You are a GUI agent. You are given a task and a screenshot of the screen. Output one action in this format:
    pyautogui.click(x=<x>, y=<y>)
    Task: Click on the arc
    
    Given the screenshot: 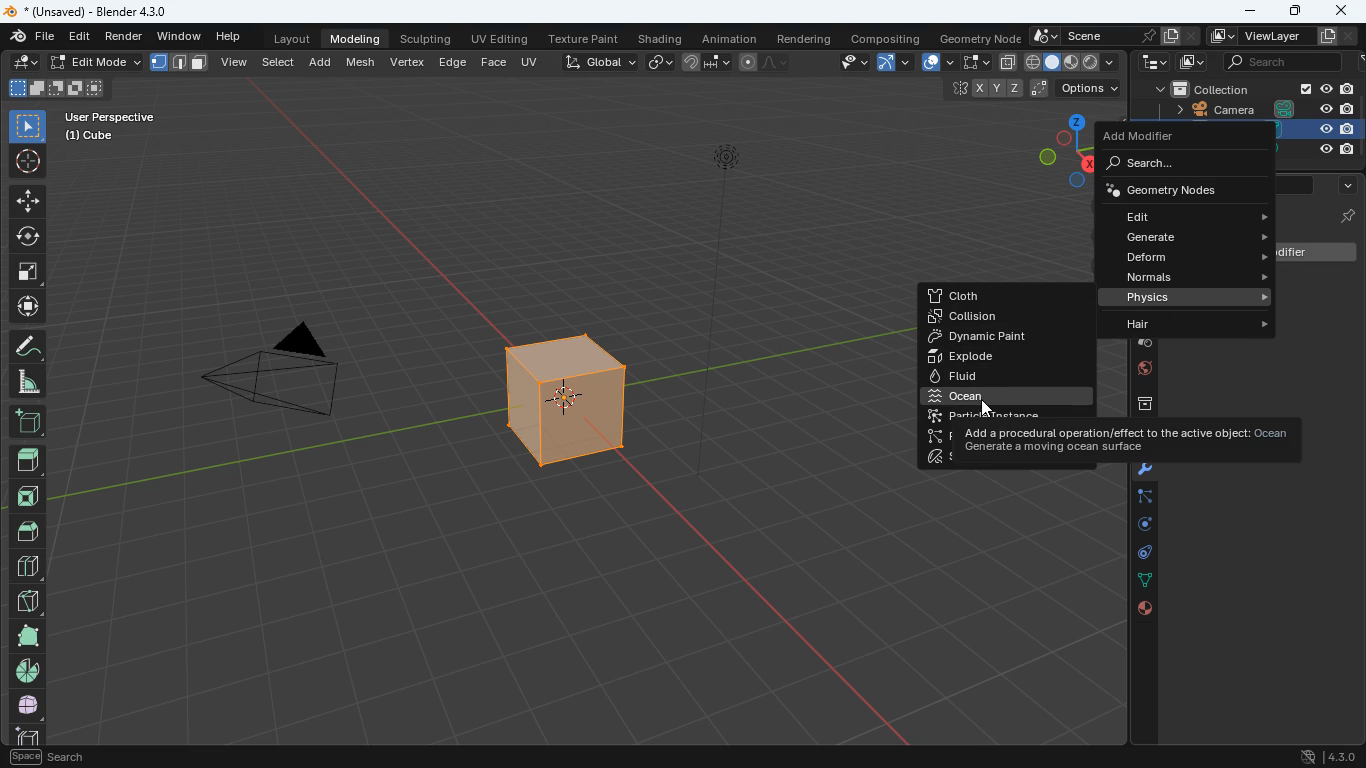 What is the action you would take?
    pyautogui.click(x=892, y=64)
    